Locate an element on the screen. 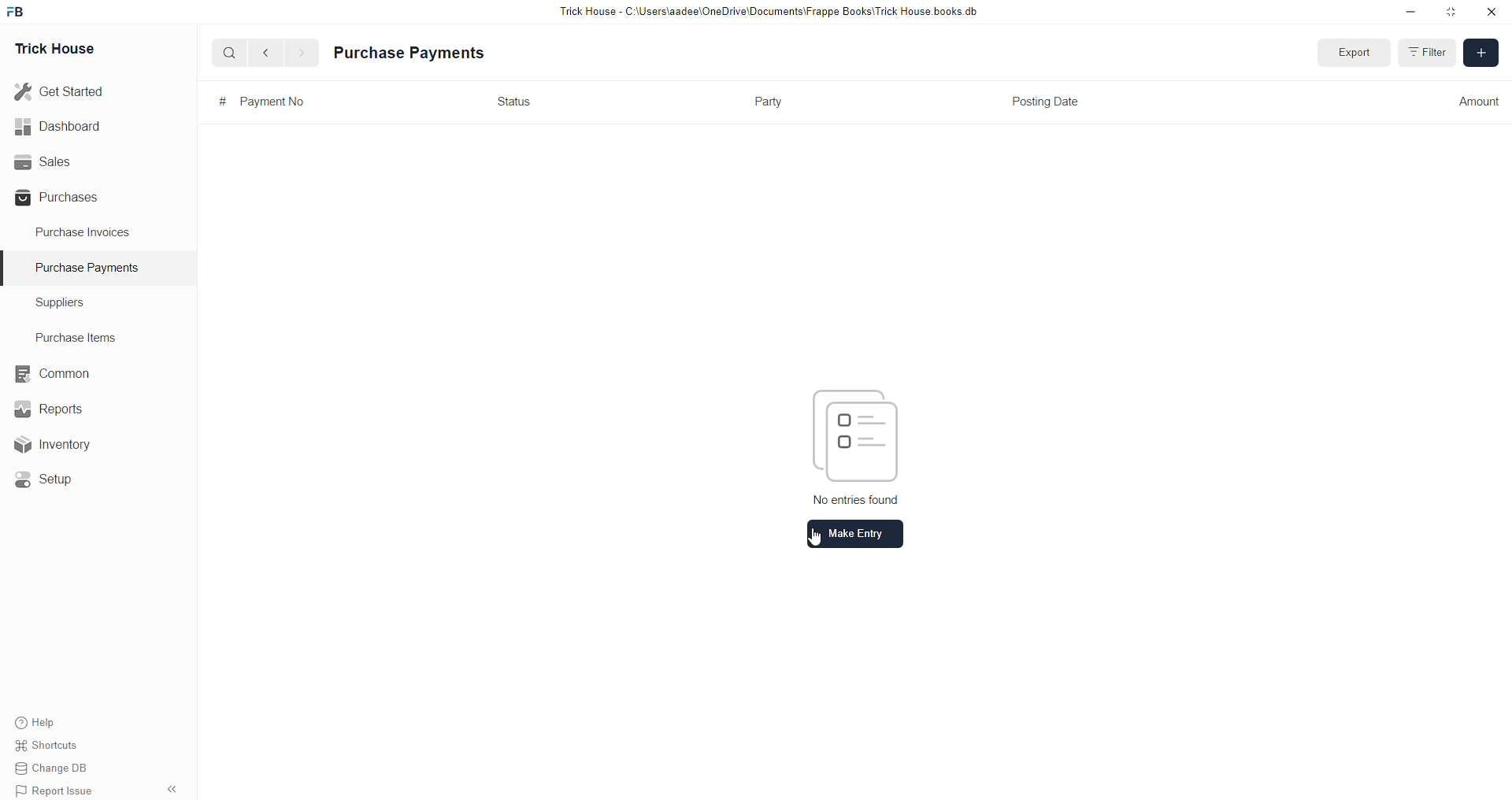 Image resolution: width=1512 pixels, height=800 pixels. Purchase Invoices is located at coordinates (85, 231).